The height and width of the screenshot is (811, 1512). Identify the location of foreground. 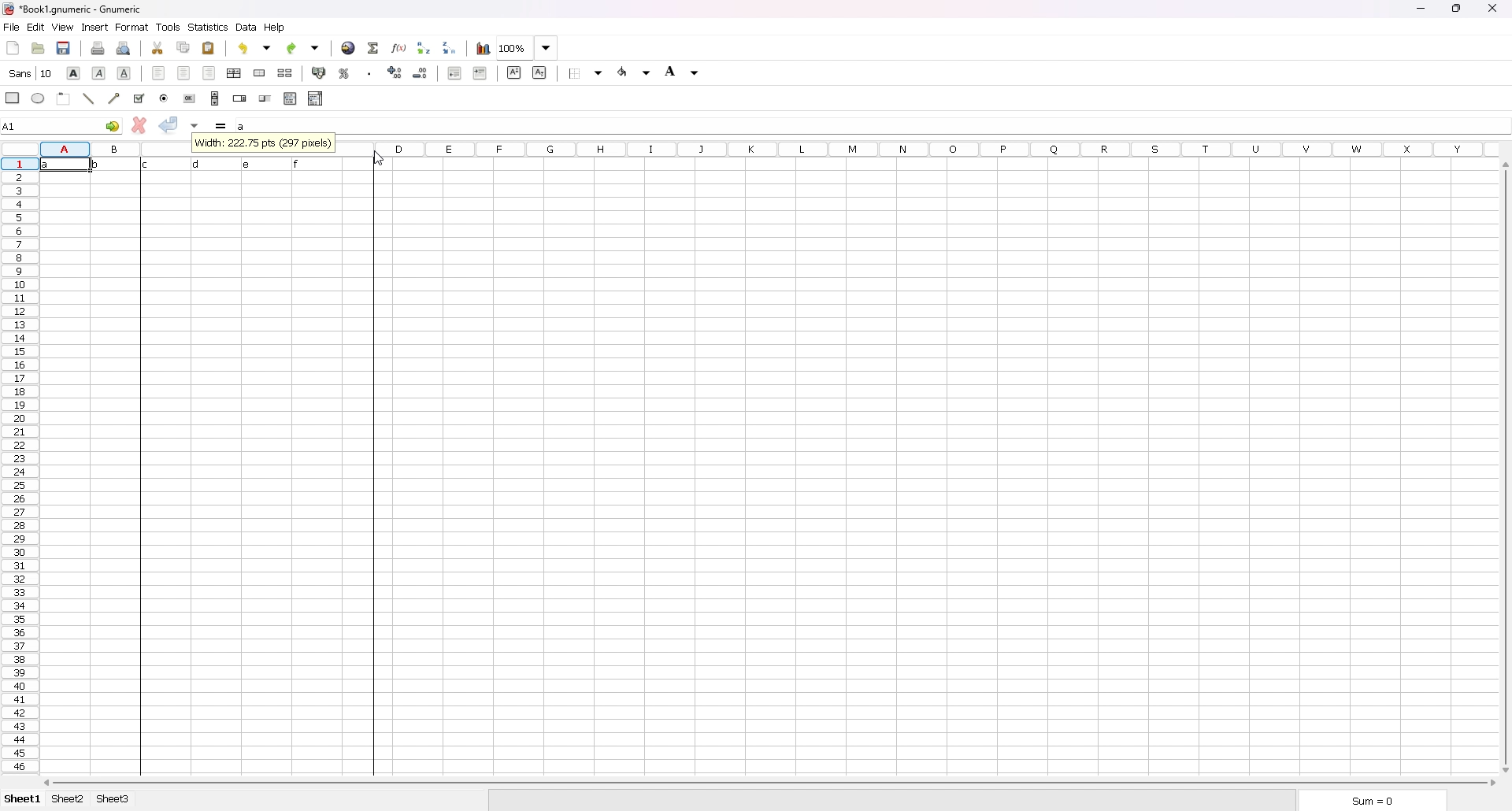
(637, 70).